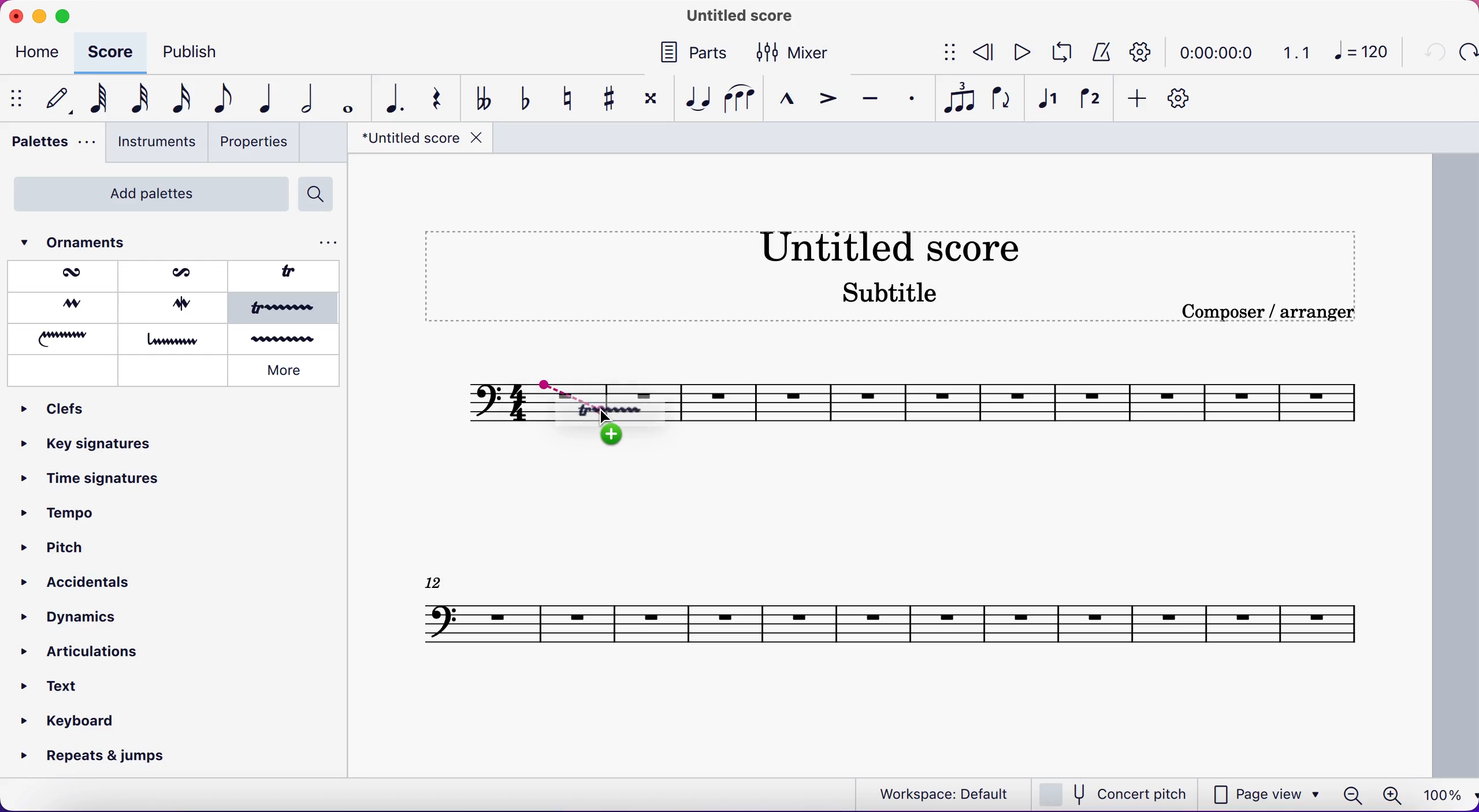 The image size is (1479, 812). What do you see at coordinates (87, 653) in the screenshot?
I see `articulations` at bounding box center [87, 653].